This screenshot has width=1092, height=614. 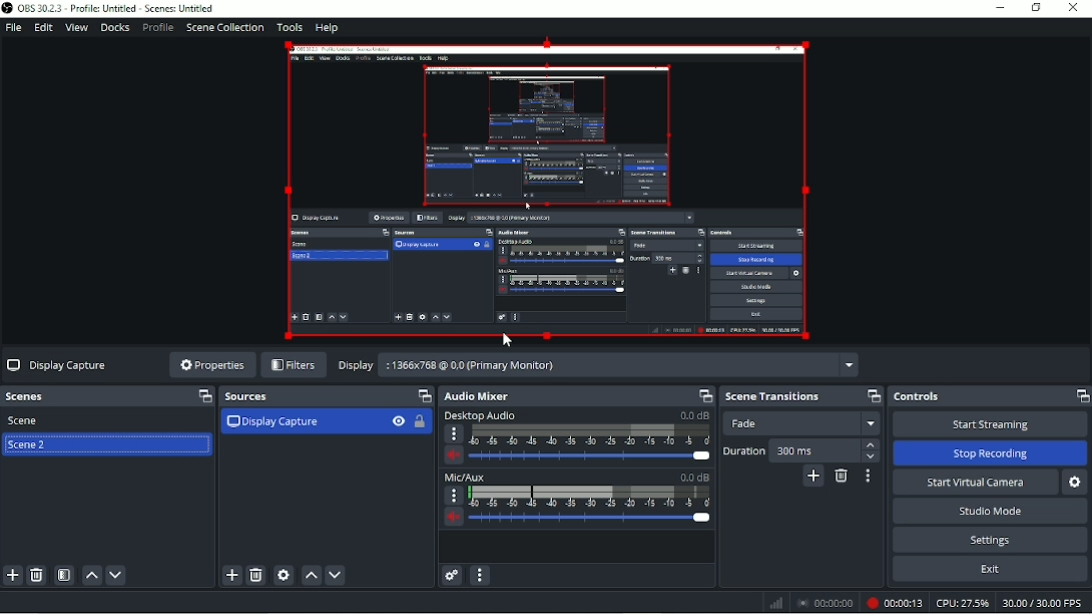 I want to click on Configure virtual camera, so click(x=1076, y=483).